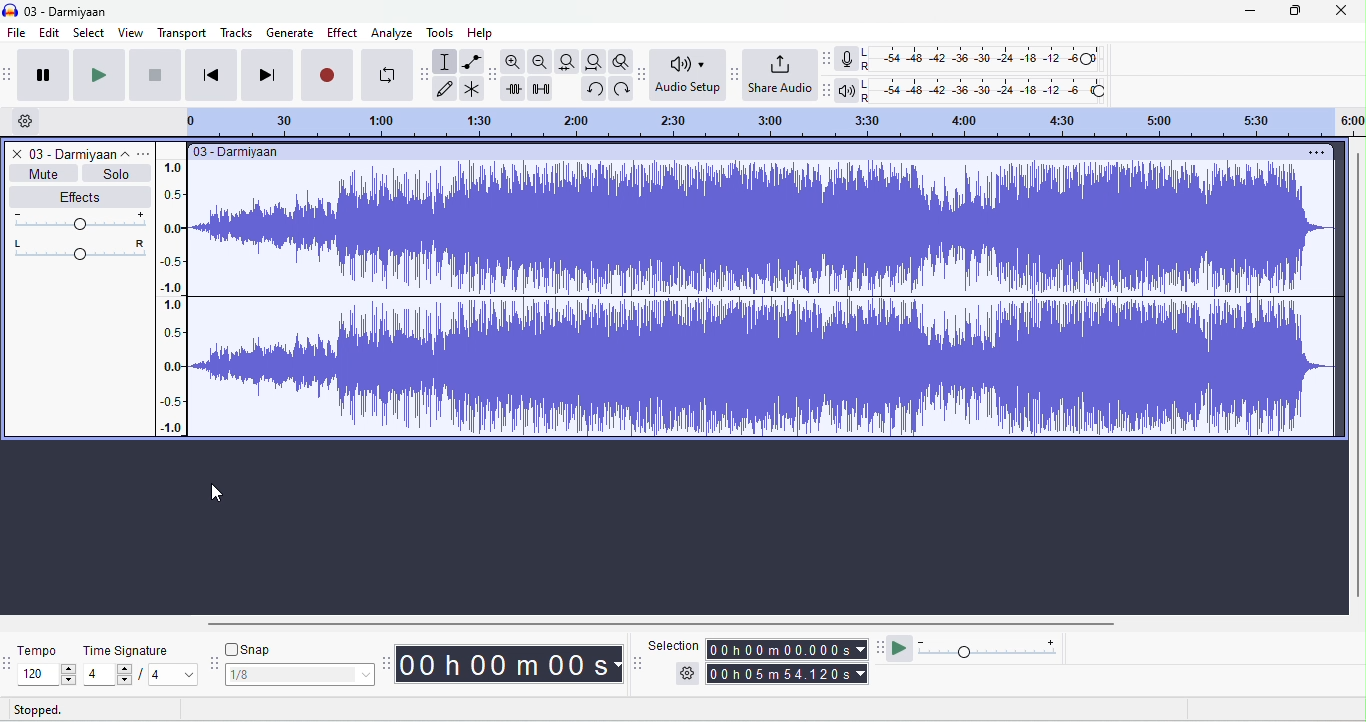  What do you see at coordinates (442, 60) in the screenshot?
I see `selection` at bounding box center [442, 60].